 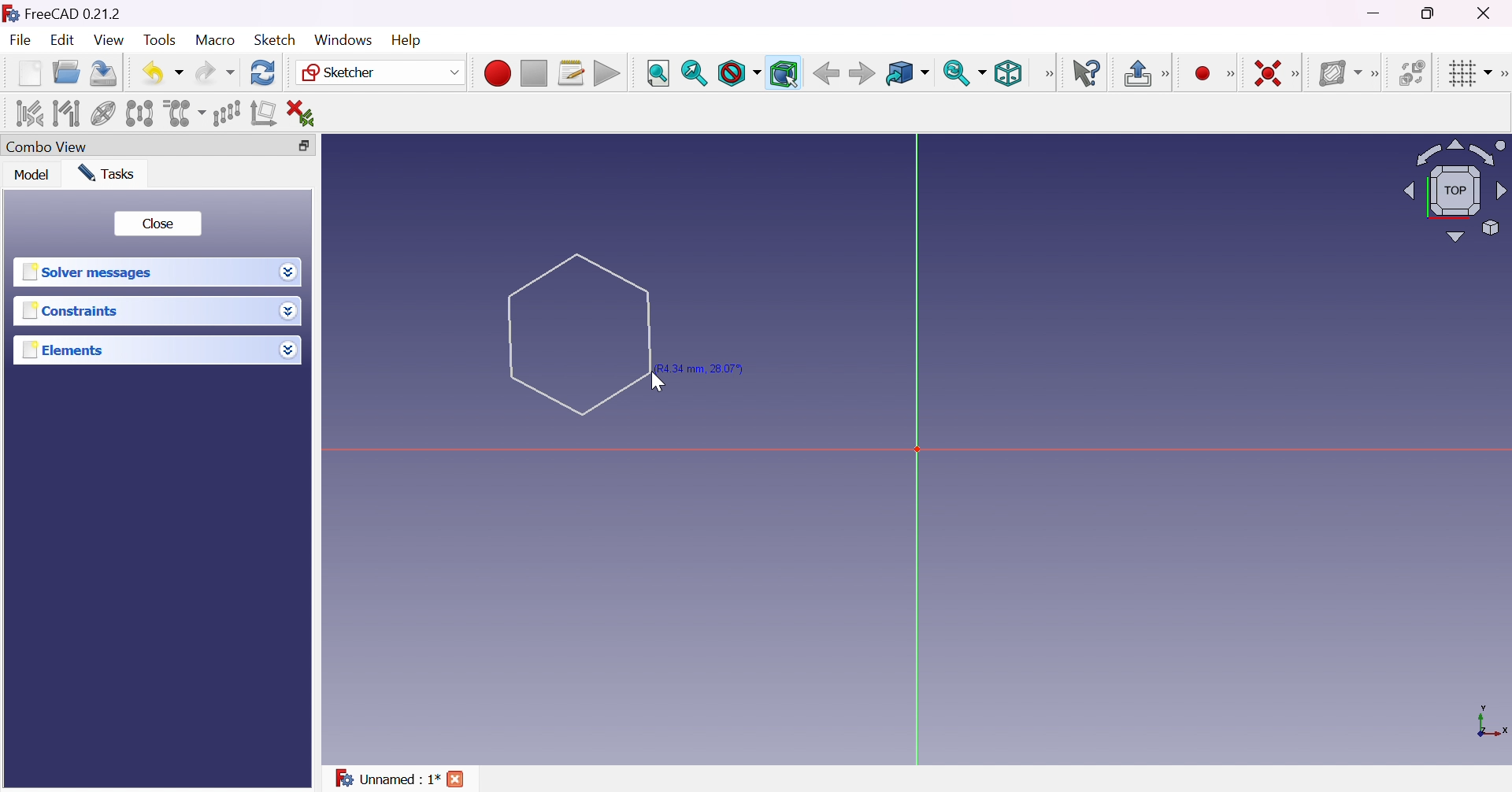 I want to click on Unnamed : 1*, so click(x=387, y=779).